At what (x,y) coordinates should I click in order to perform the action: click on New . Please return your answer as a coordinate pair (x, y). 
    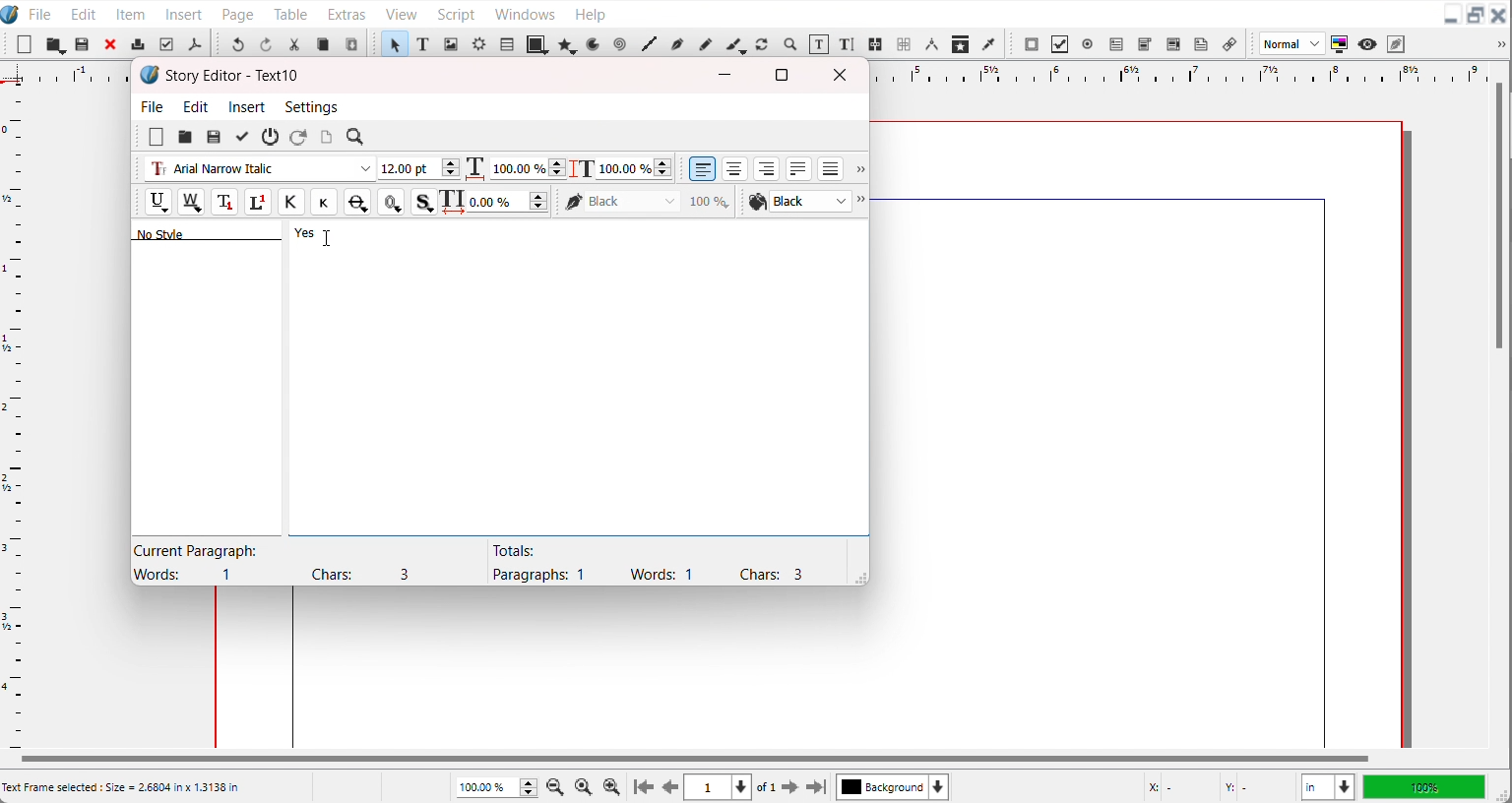
    Looking at the image, I should click on (157, 137).